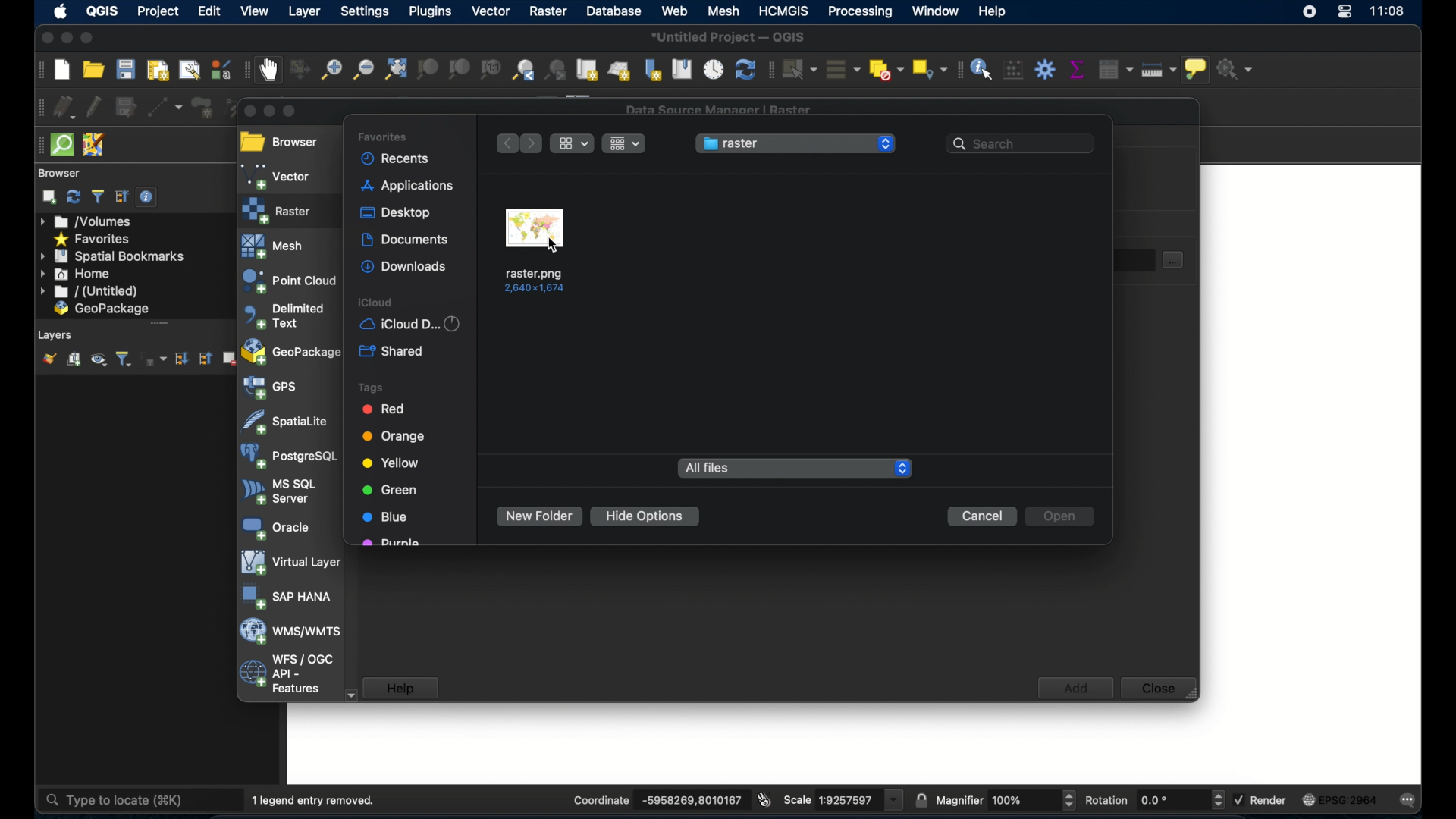  Describe the element at coordinates (1345, 15) in the screenshot. I see `control center` at that location.